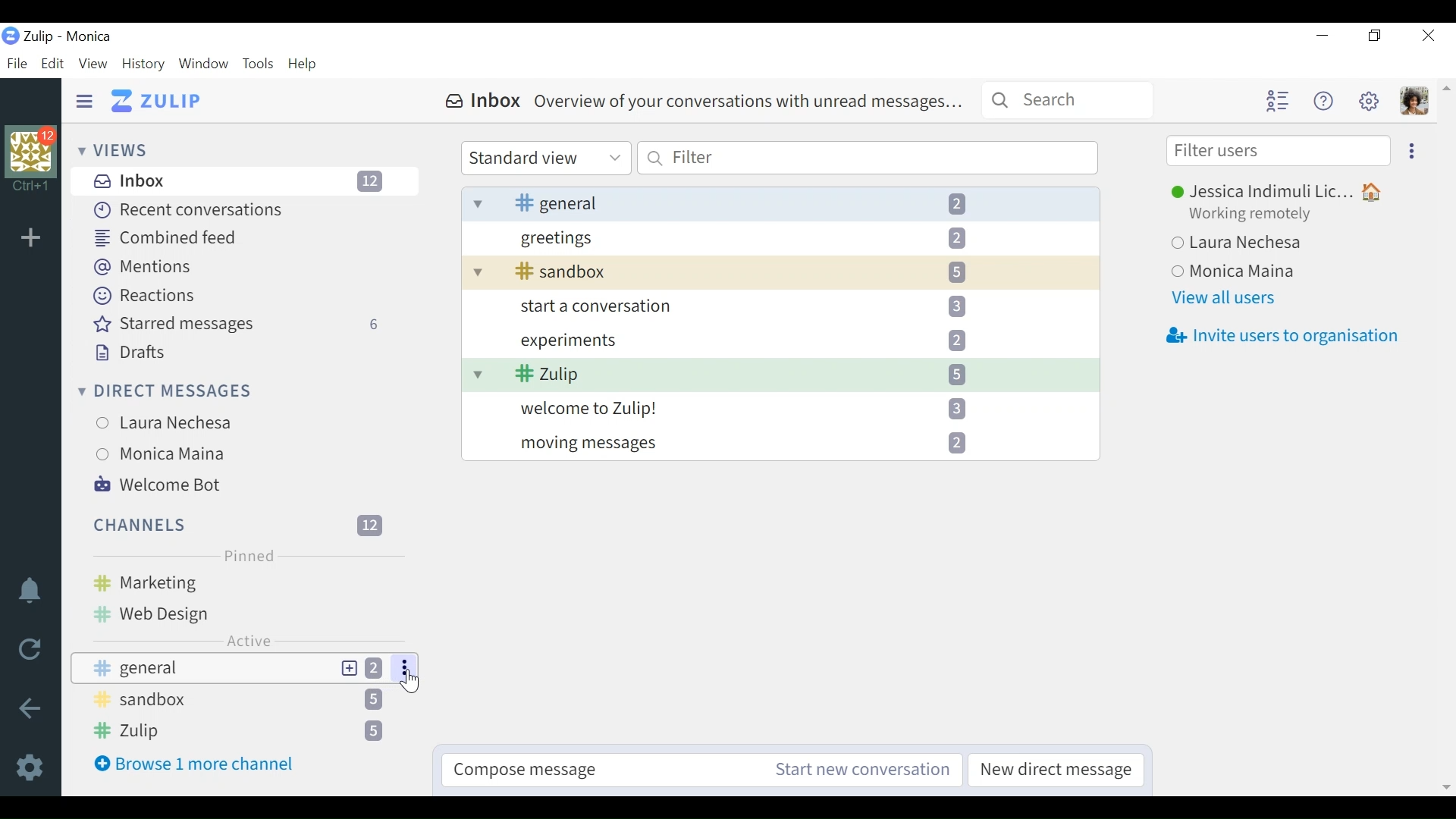 The width and height of the screenshot is (1456, 819). Describe the element at coordinates (127, 353) in the screenshot. I see `Drafts` at that location.